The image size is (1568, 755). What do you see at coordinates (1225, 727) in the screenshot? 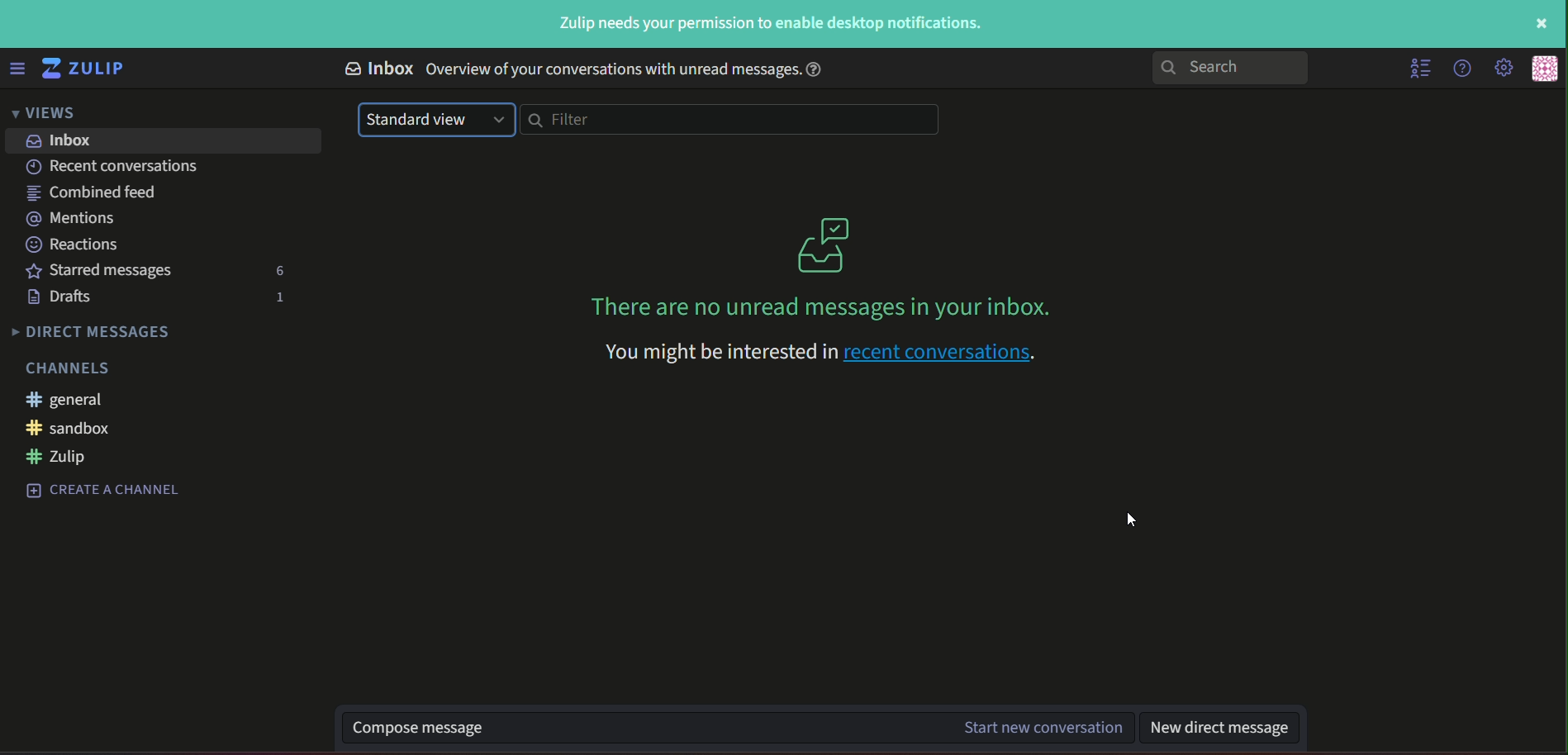
I see `text` at bounding box center [1225, 727].